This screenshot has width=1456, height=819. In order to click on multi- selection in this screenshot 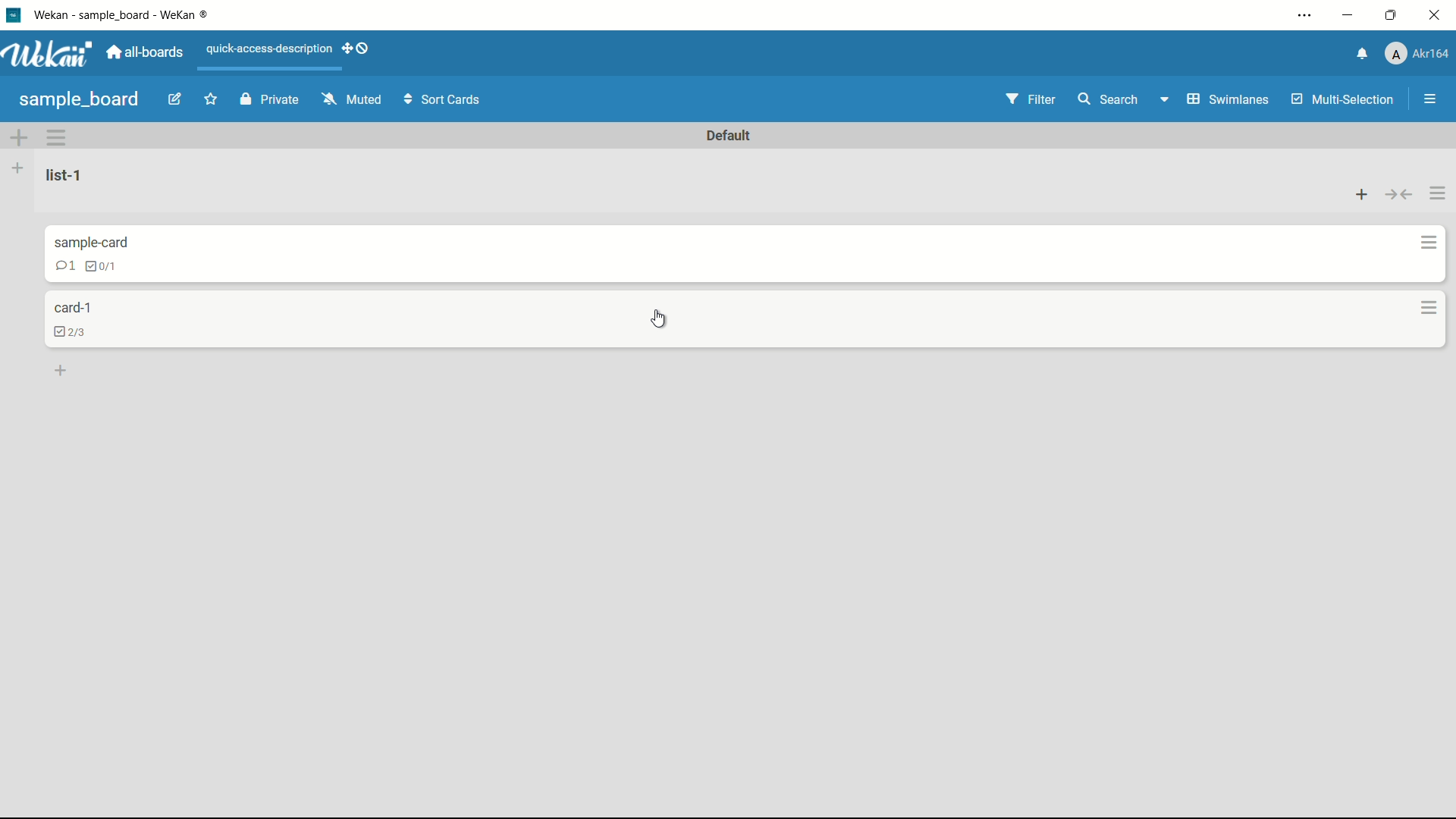, I will do `click(1340, 100)`.